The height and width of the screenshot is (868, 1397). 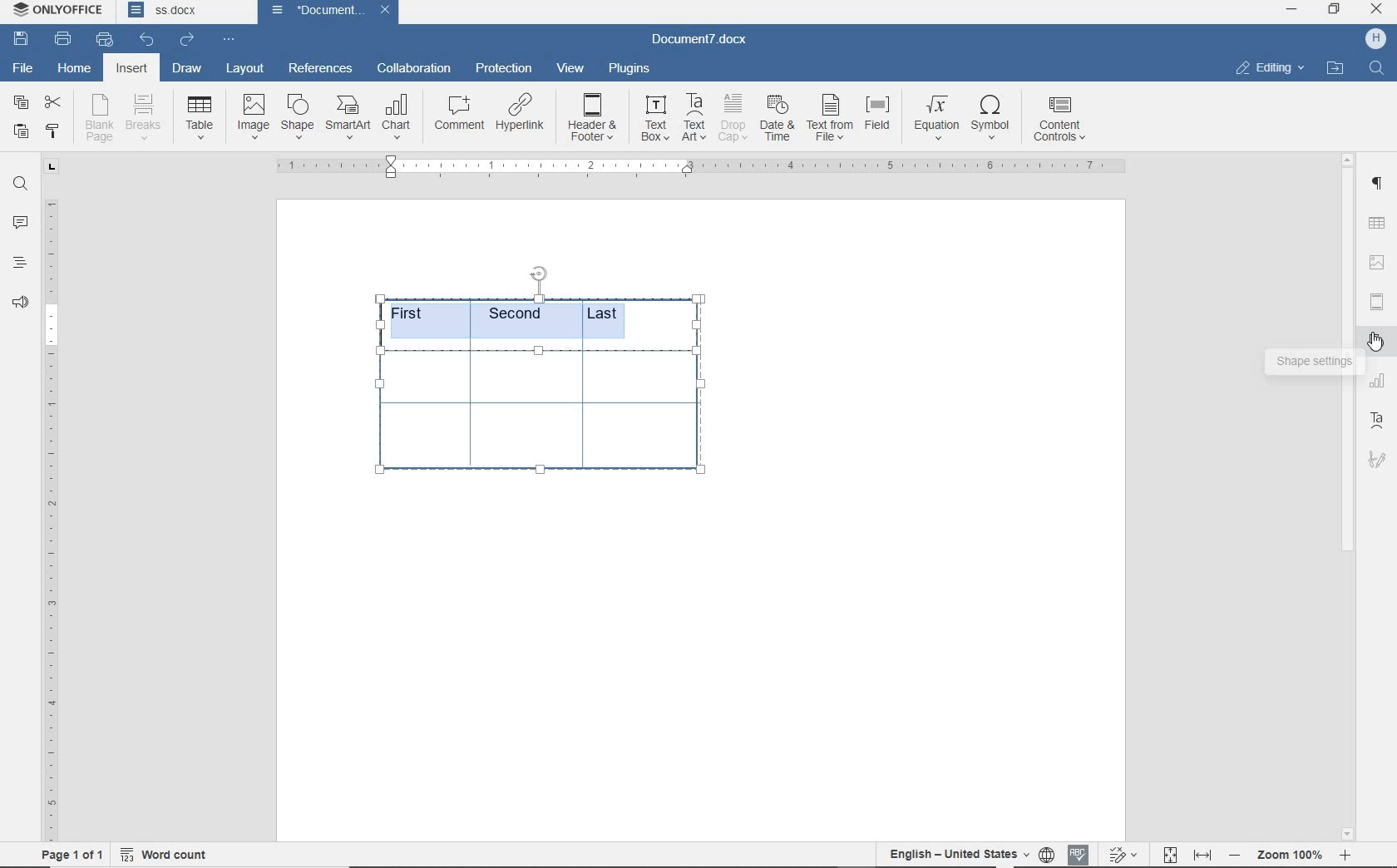 I want to click on word count, so click(x=166, y=851).